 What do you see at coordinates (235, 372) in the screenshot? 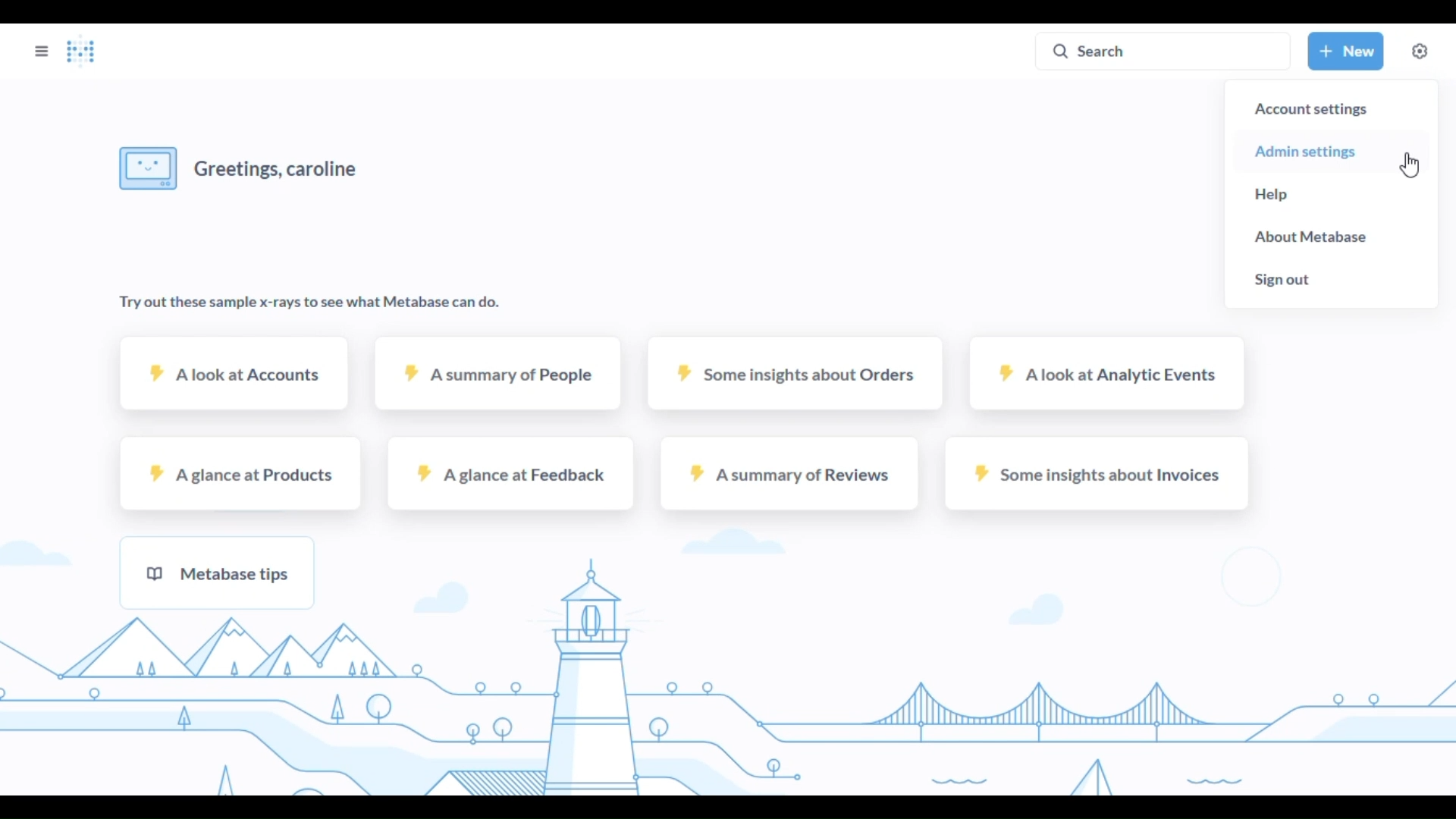
I see `a look at accounts` at bounding box center [235, 372].